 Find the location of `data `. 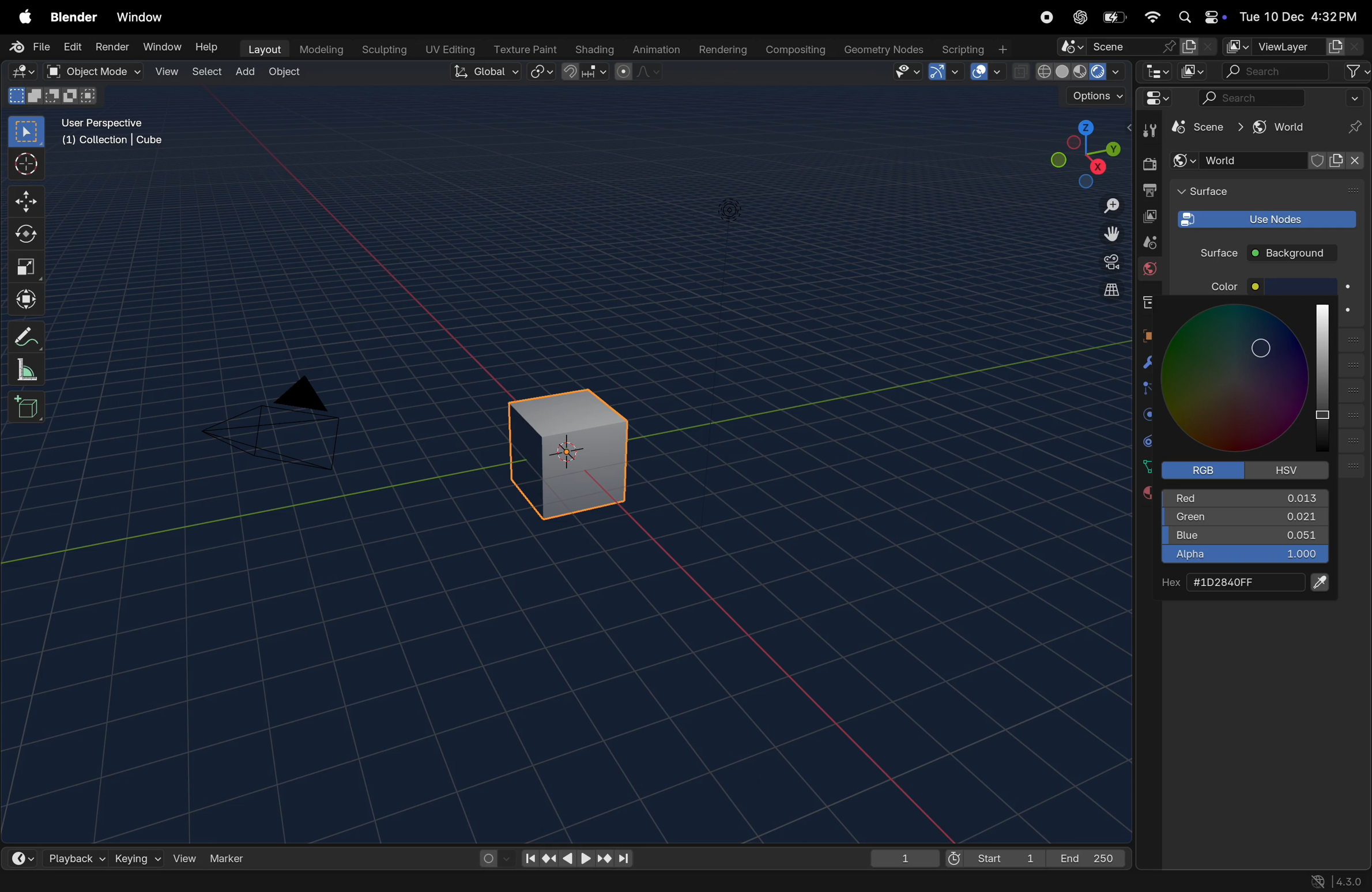

data  is located at coordinates (1147, 466).